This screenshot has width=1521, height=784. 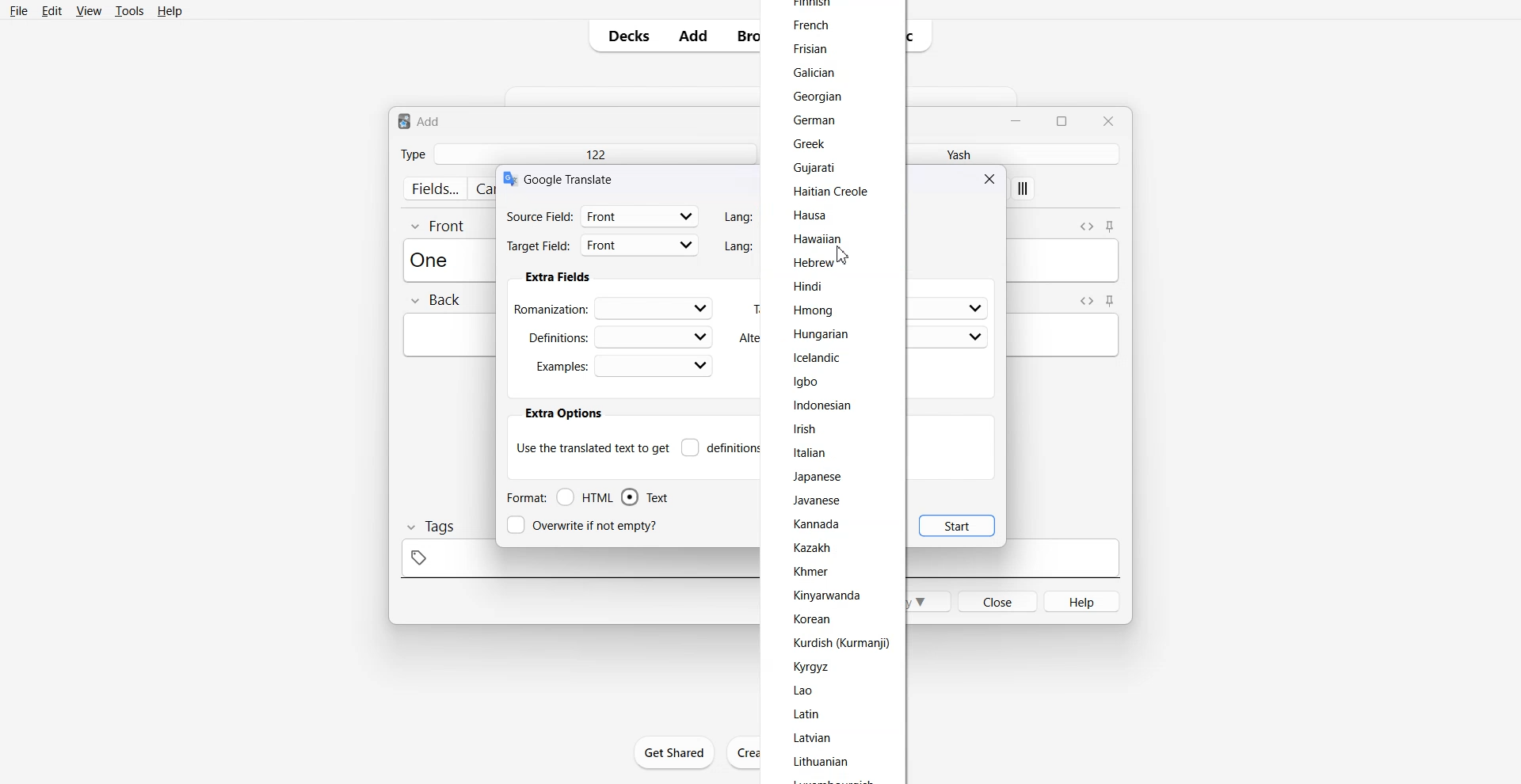 I want to click on apply custom style, so click(x=1024, y=190).